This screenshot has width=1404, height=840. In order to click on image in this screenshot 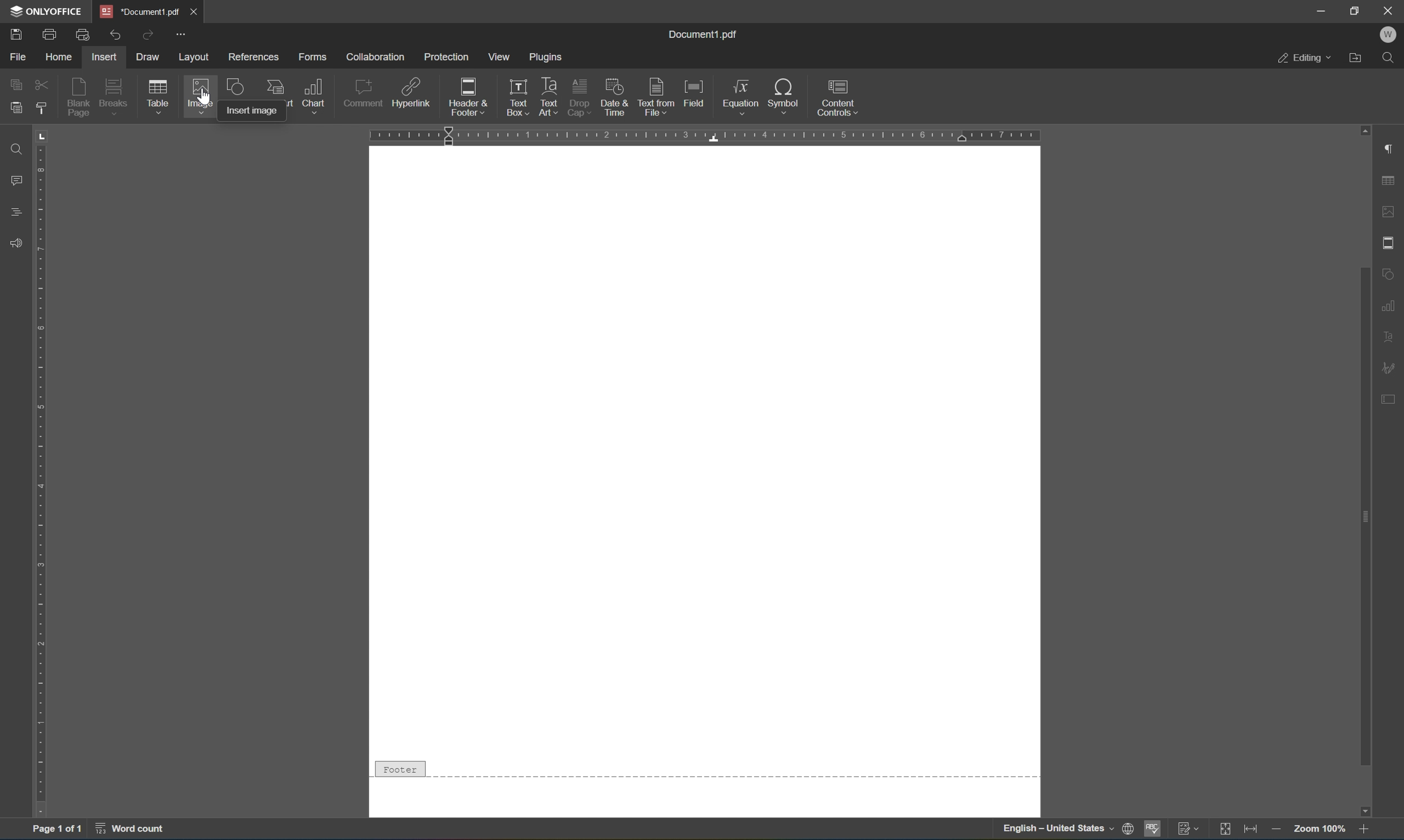, I will do `click(197, 98)`.